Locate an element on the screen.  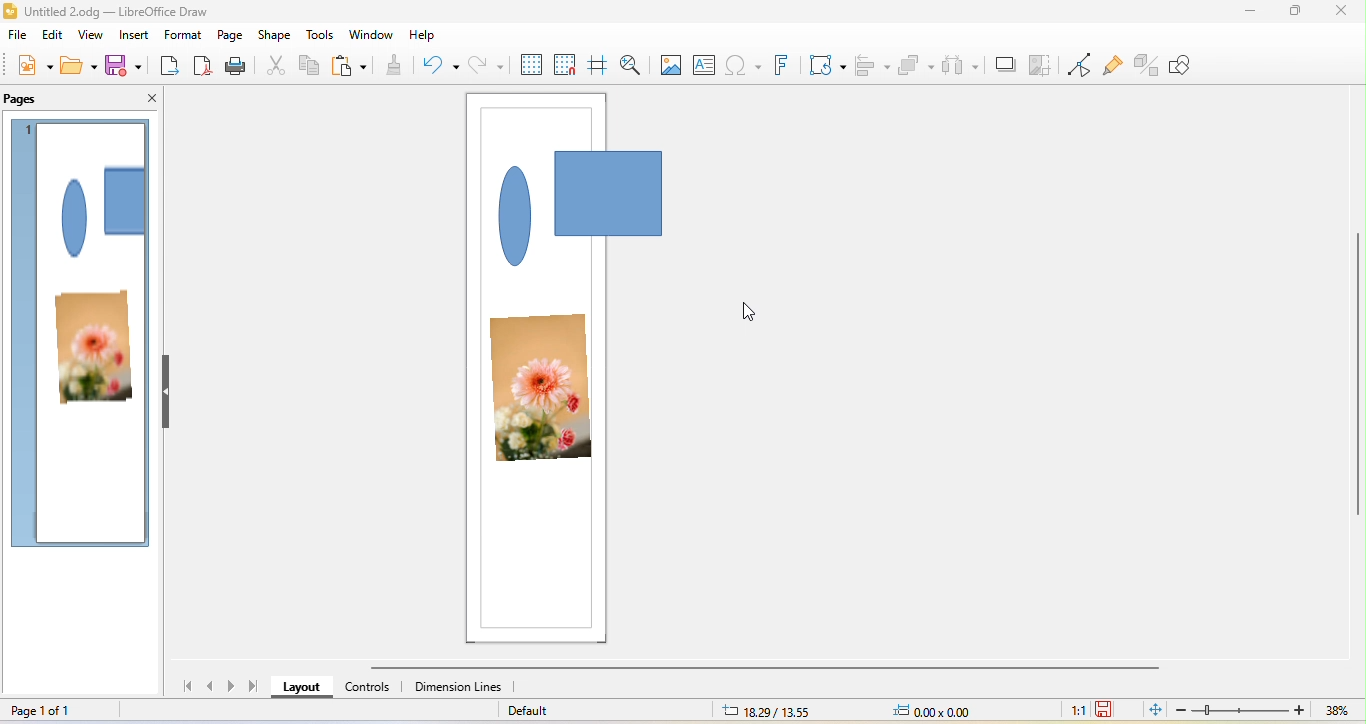
shape is located at coordinates (100, 209).